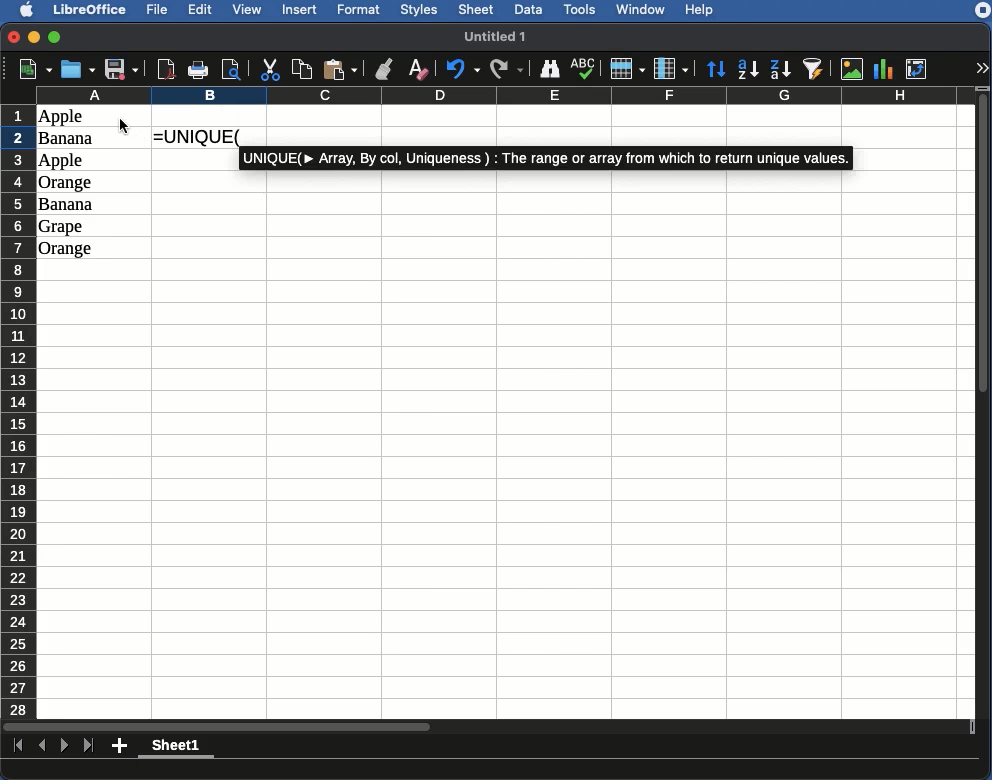 This screenshot has height=780, width=992. What do you see at coordinates (644, 10) in the screenshot?
I see `Window` at bounding box center [644, 10].